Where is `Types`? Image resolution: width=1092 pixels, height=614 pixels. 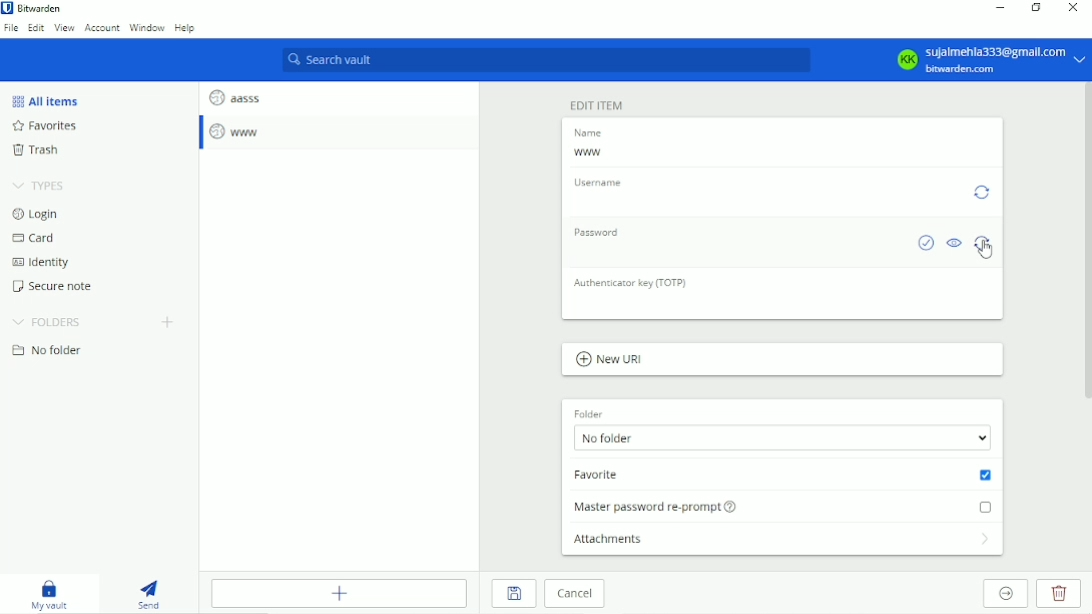
Types is located at coordinates (42, 185).